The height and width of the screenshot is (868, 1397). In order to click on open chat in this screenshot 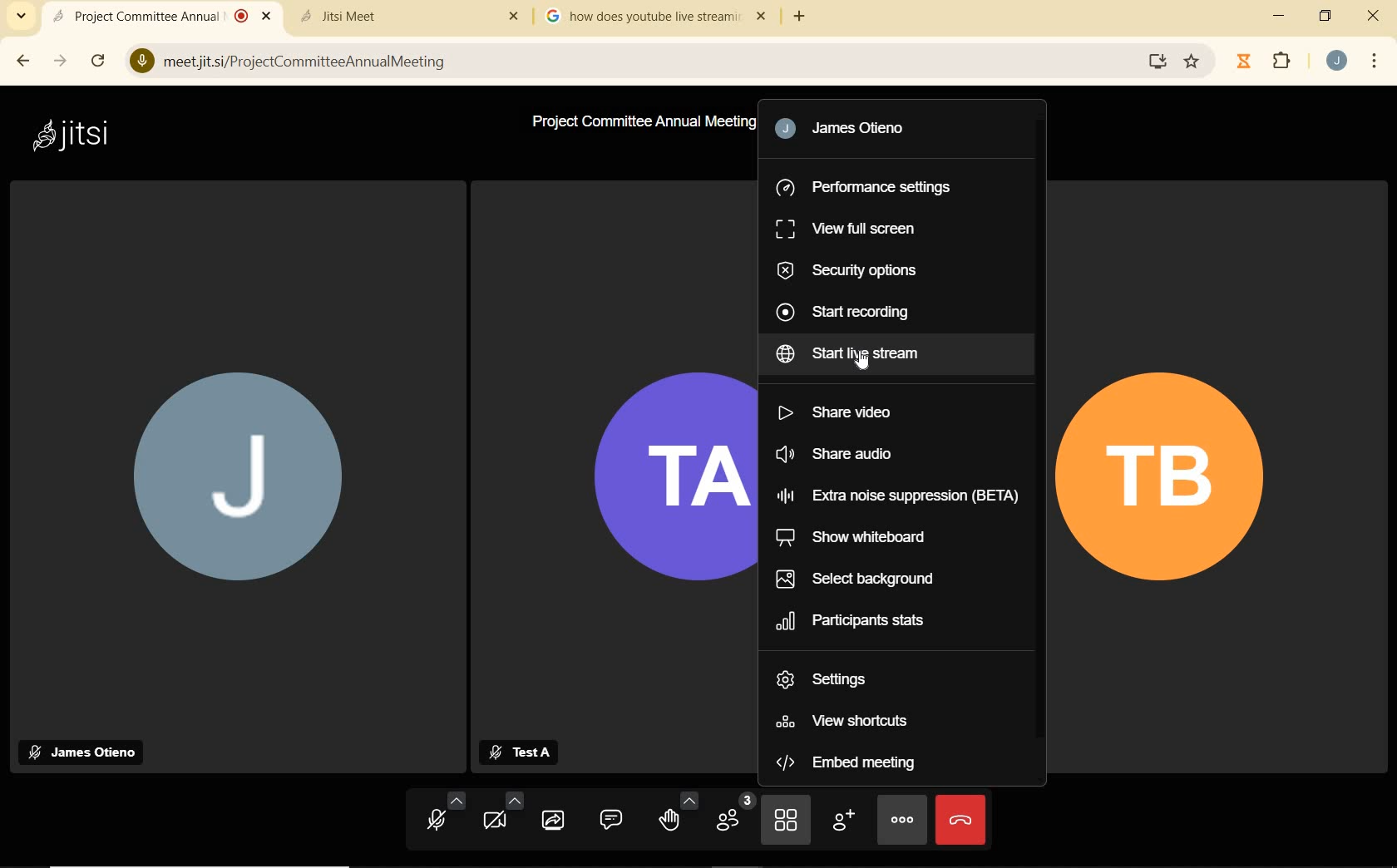, I will do `click(613, 821)`.